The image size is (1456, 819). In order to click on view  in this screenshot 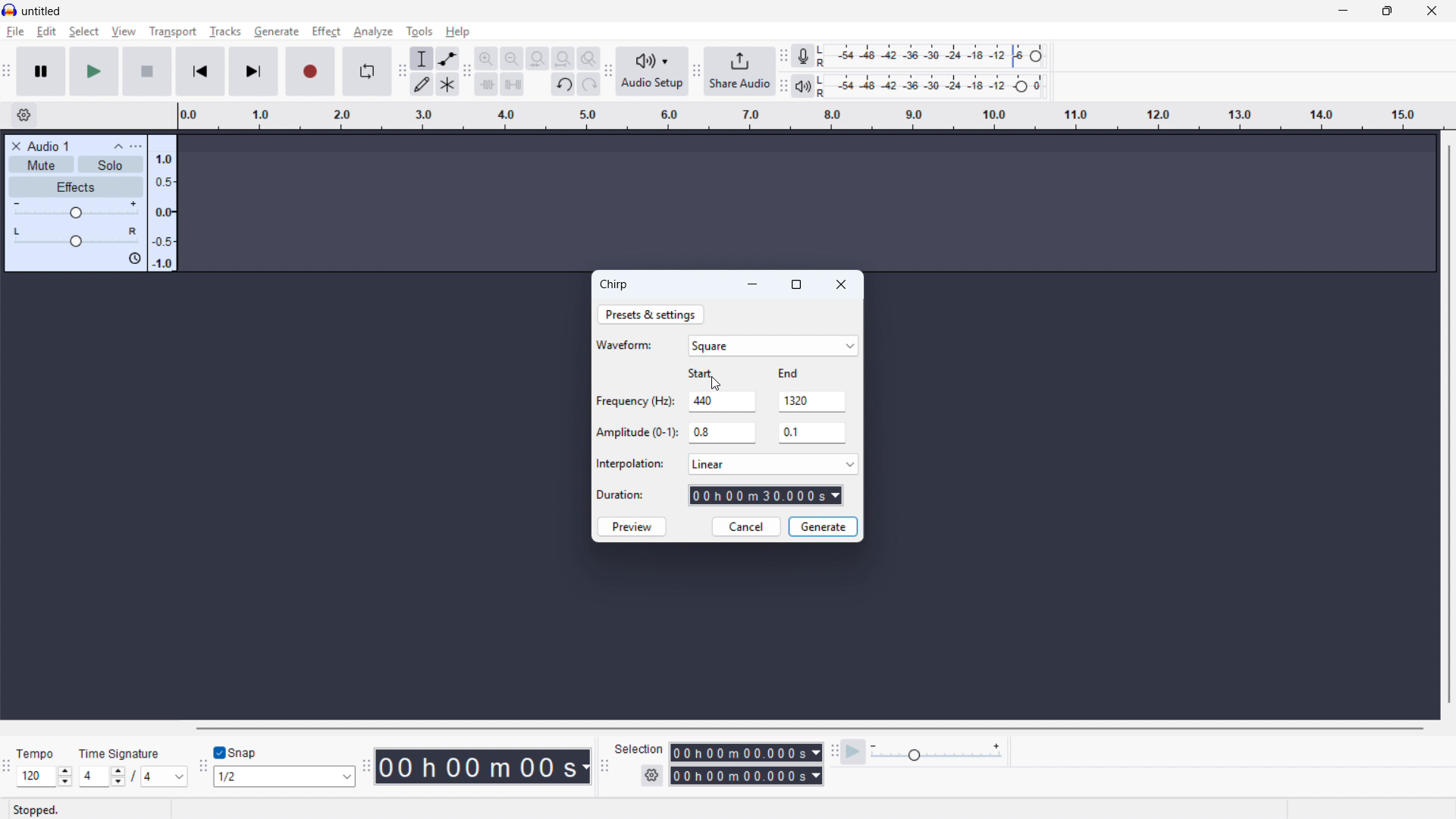, I will do `click(124, 32)`.